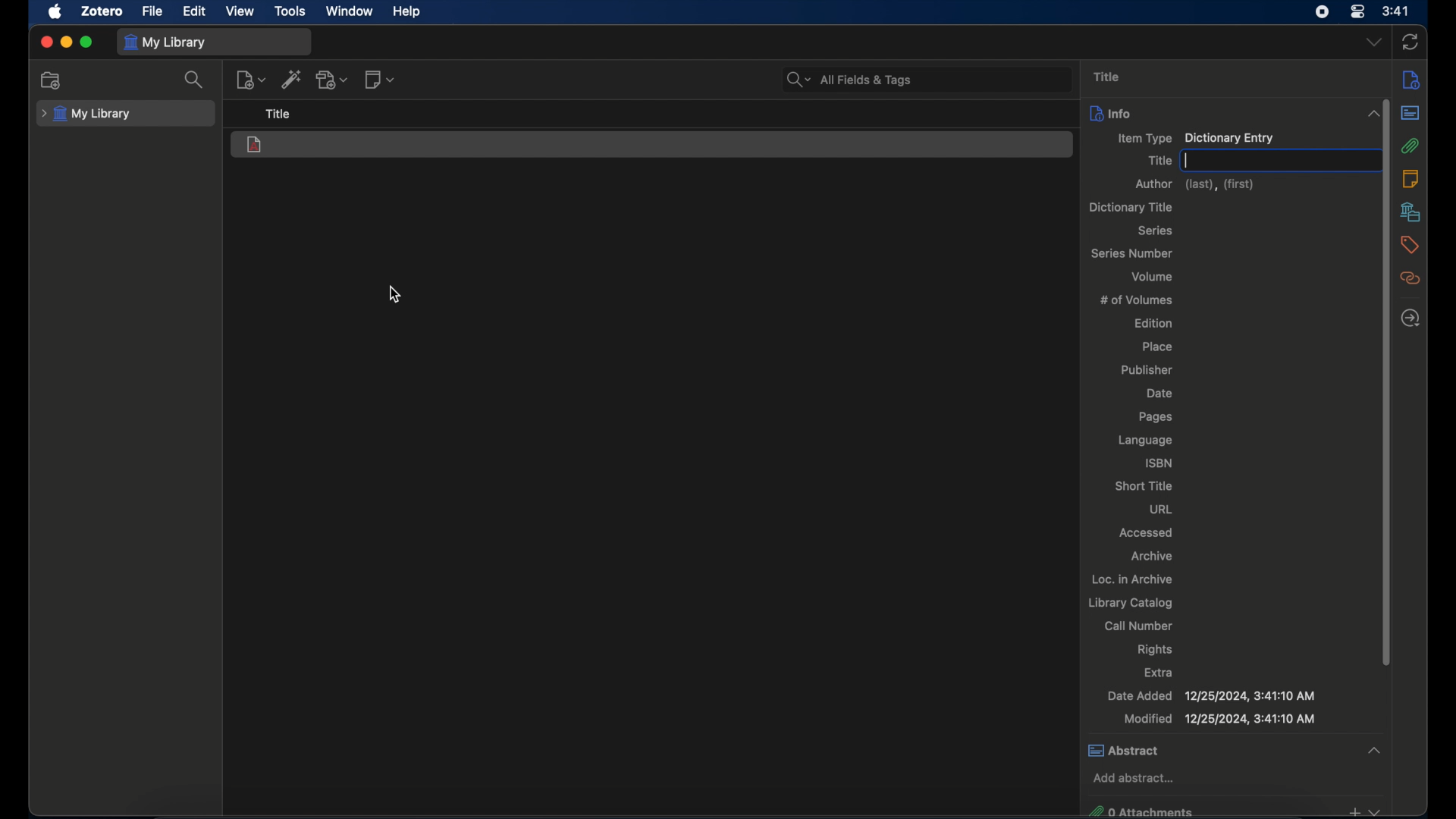 This screenshot has height=819, width=1456. What do you see at coordinates (67, 42) in the screenshot?
I see `minimize` at bounding box center [67, 42].